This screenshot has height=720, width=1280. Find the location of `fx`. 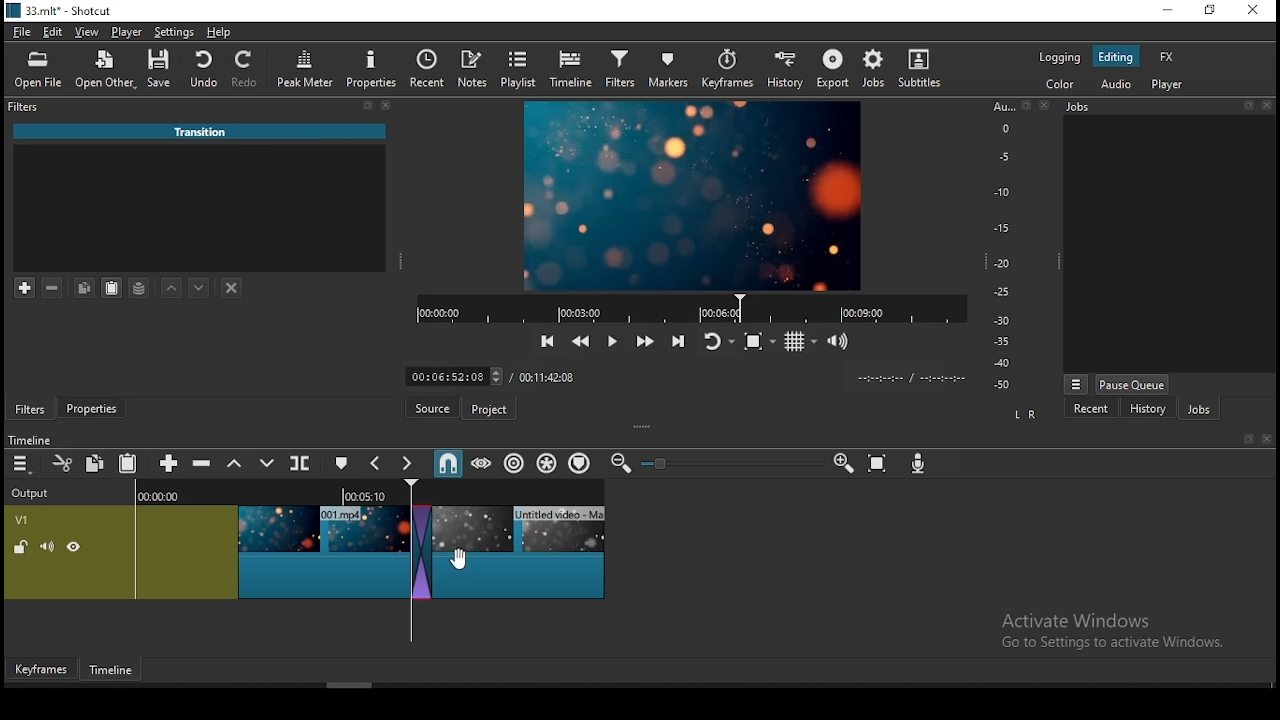

fx is located at coordinates (1166, 56).